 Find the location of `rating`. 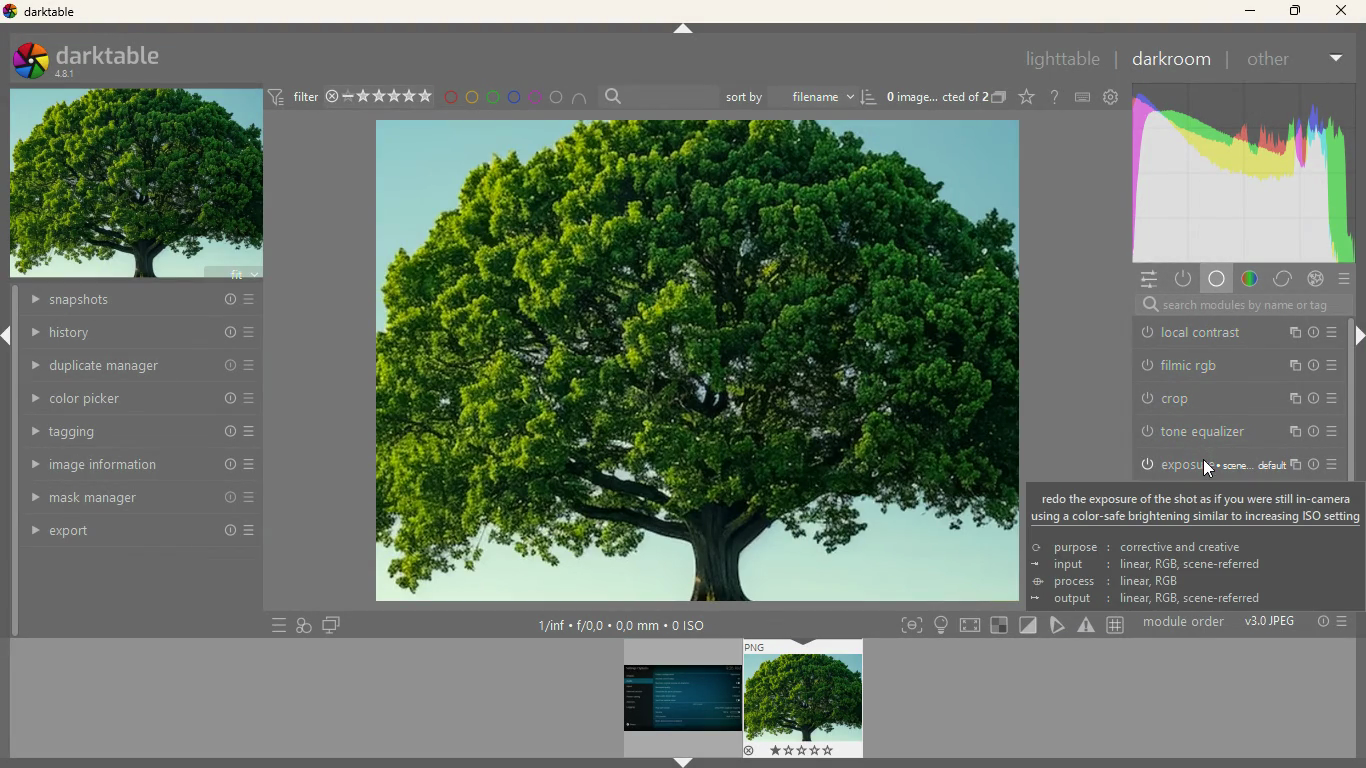

rating is located at coordinates (388, 96).